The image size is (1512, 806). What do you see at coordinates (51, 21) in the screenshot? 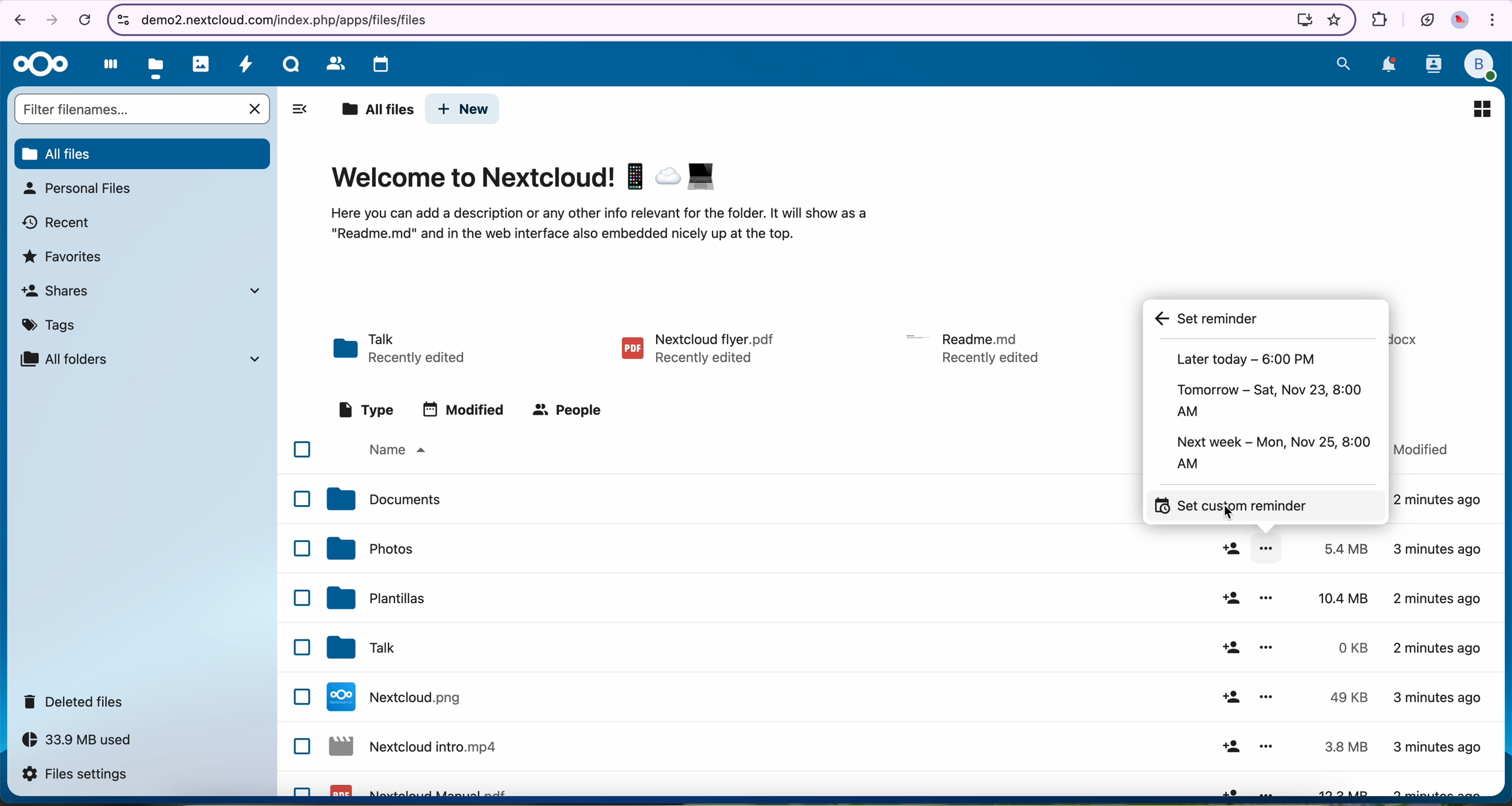
I see `navigate foward` at bounding box center [51, 21].